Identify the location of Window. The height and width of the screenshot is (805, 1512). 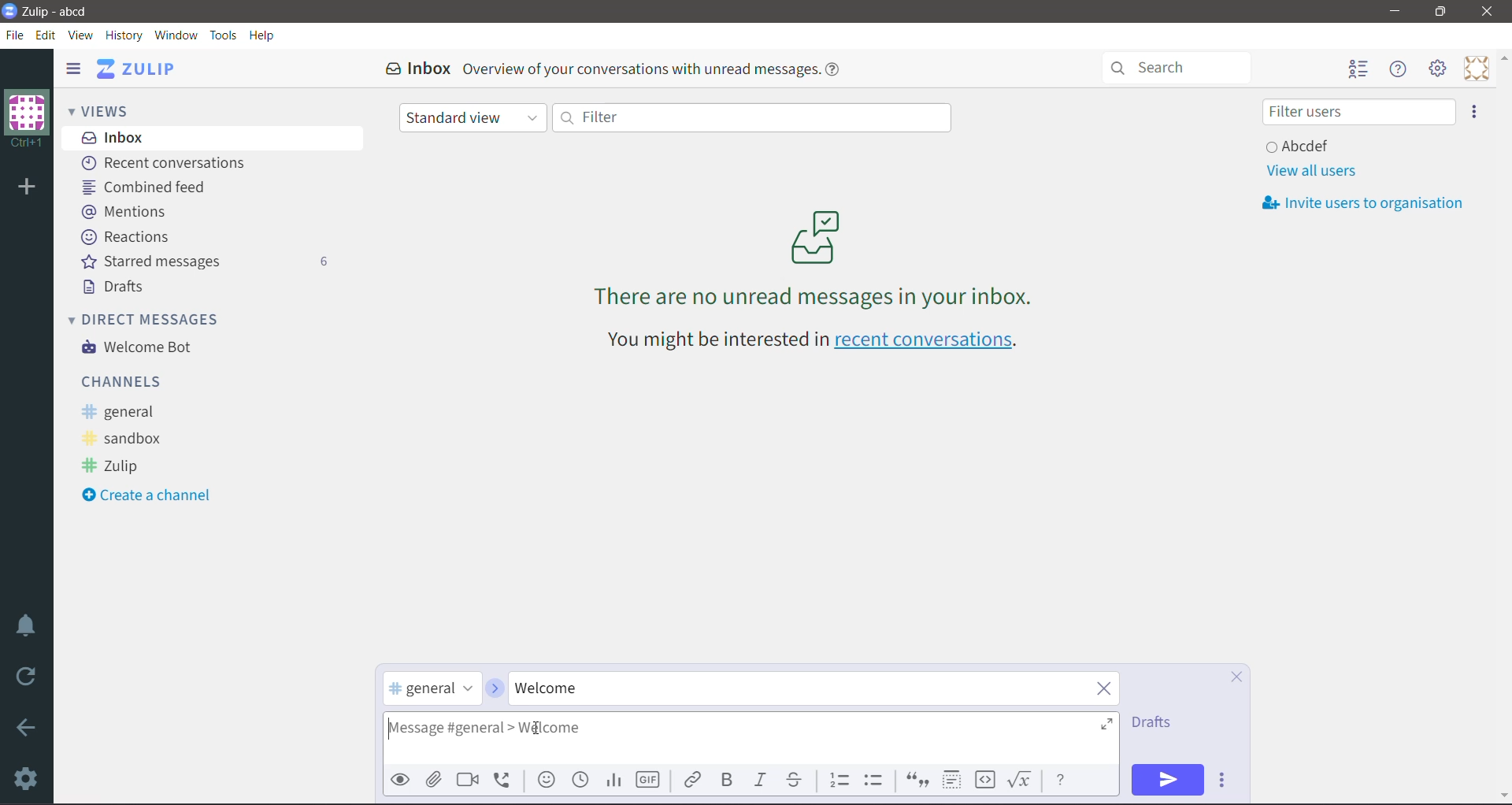
(176, 35).